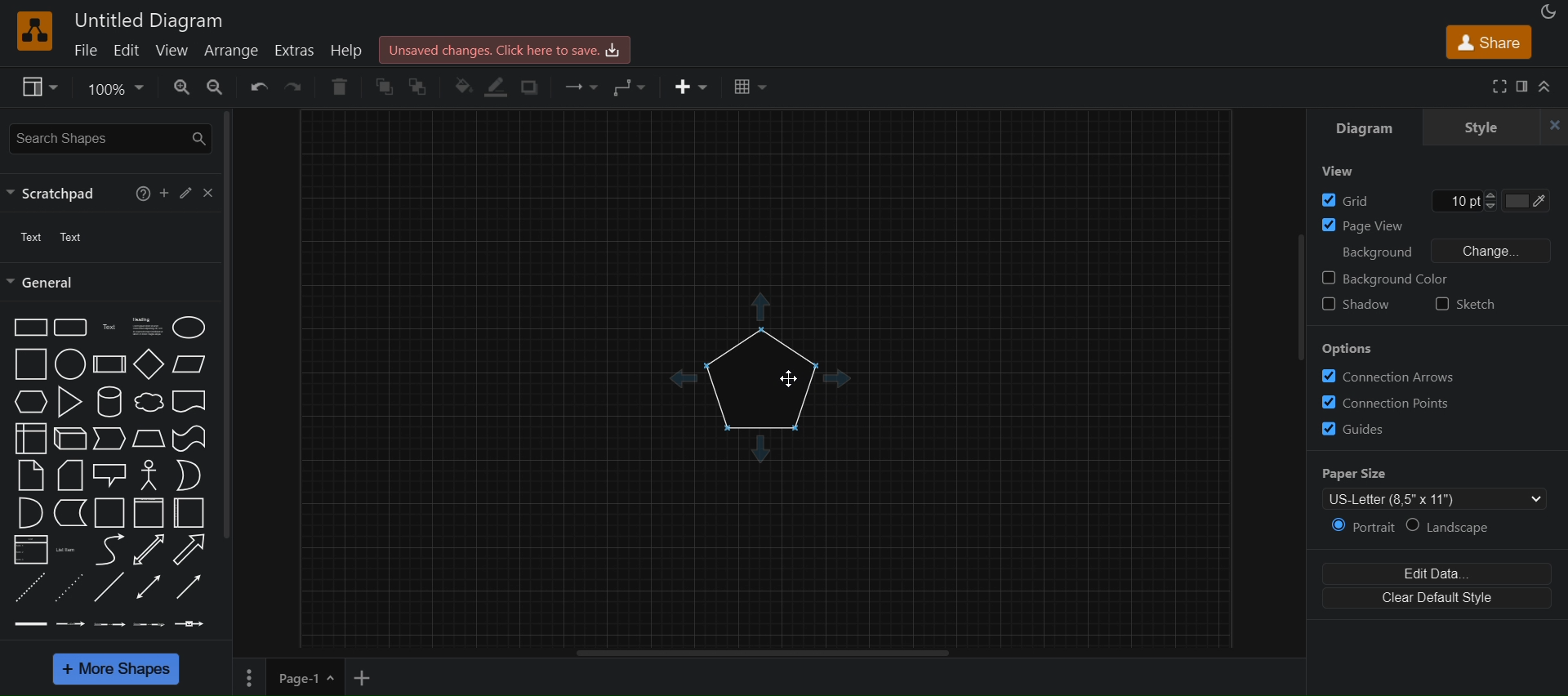 This screenshot has width=1568, height=696. What do you see at coordinates (71, 364) in the screenshot?
I see `Circle` at bounding box center [71, 364].